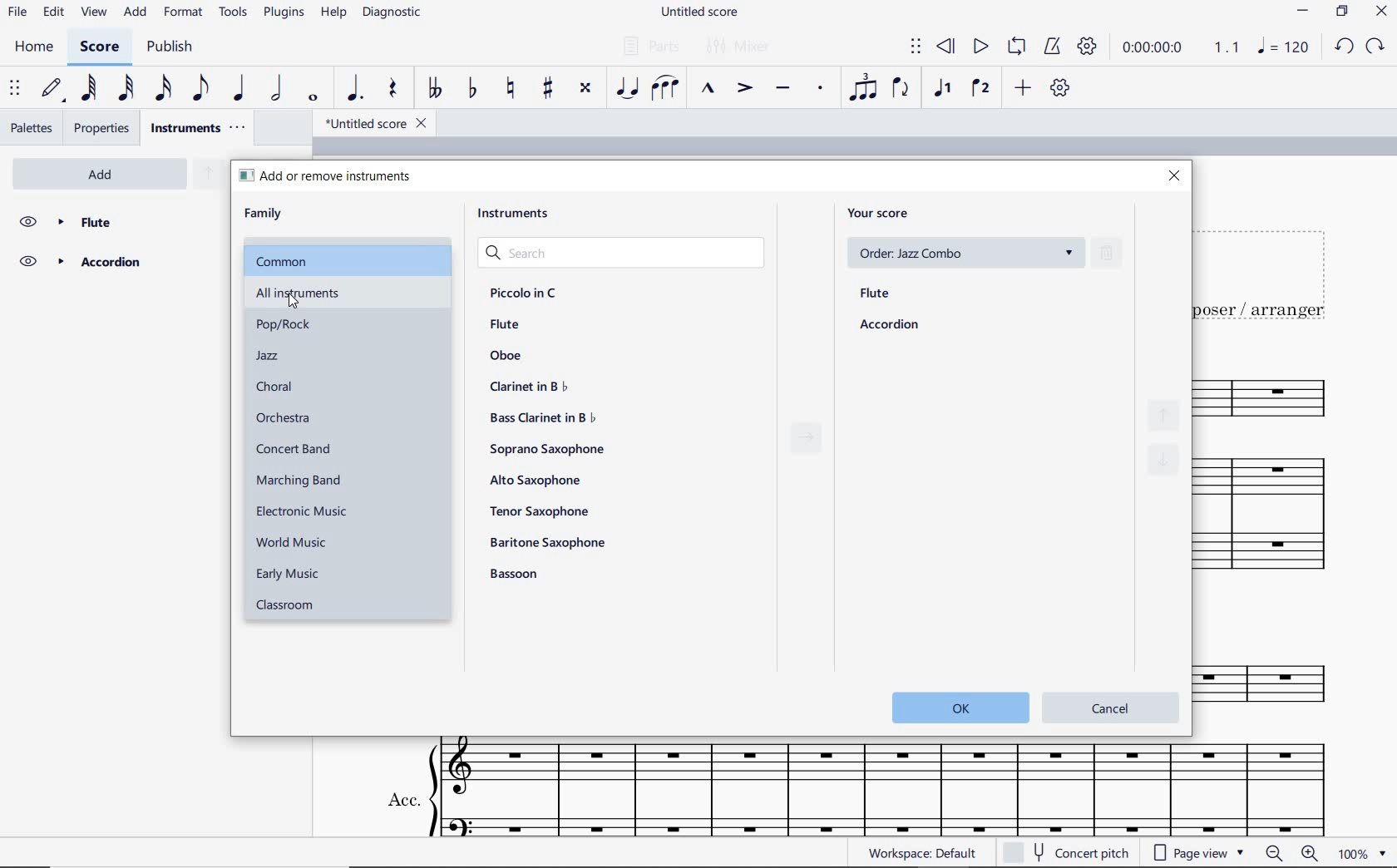 The width and height of the screenshot is (1397, 868). Describe the element at coordinates (1156, 50) in the screenshot. I see `playback time` at that location.